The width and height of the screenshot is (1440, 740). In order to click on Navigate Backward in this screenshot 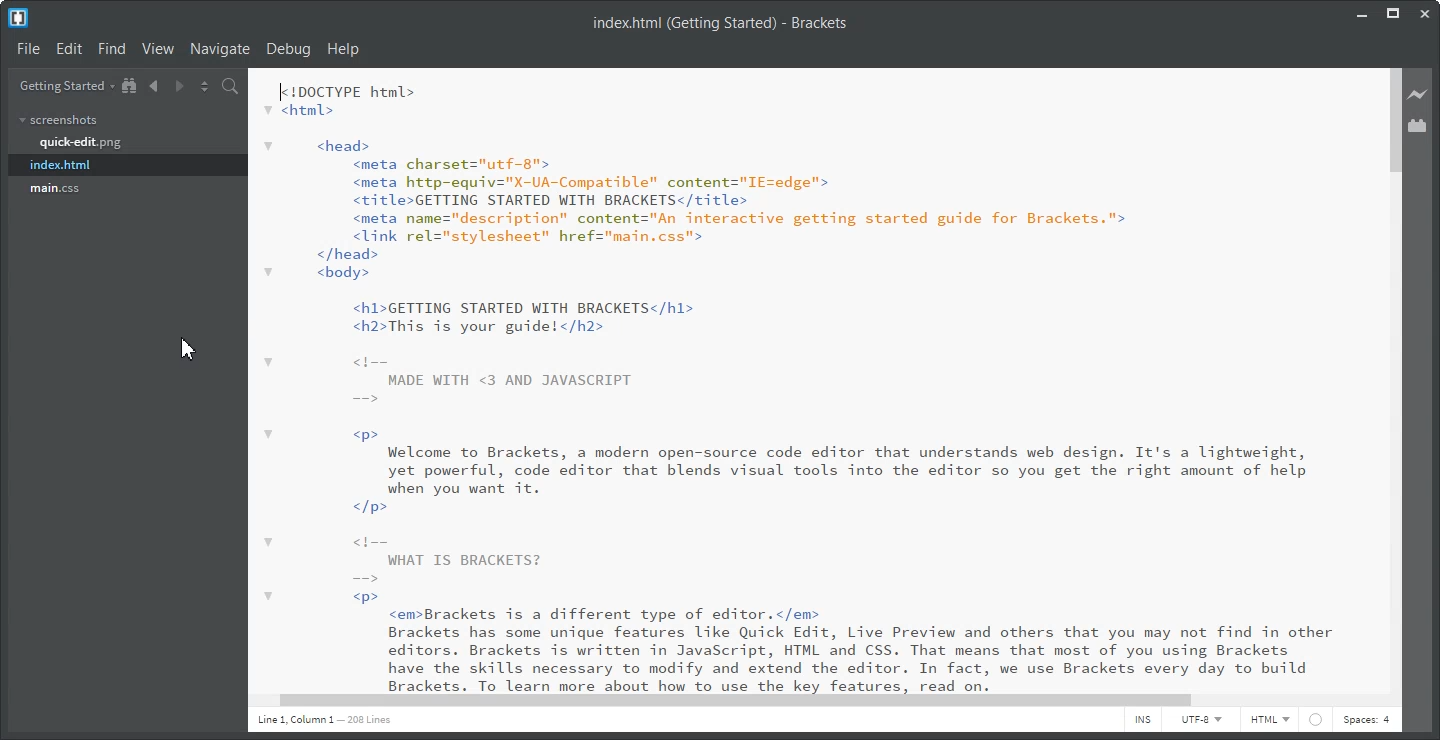, I will do `click(155, 85)`.